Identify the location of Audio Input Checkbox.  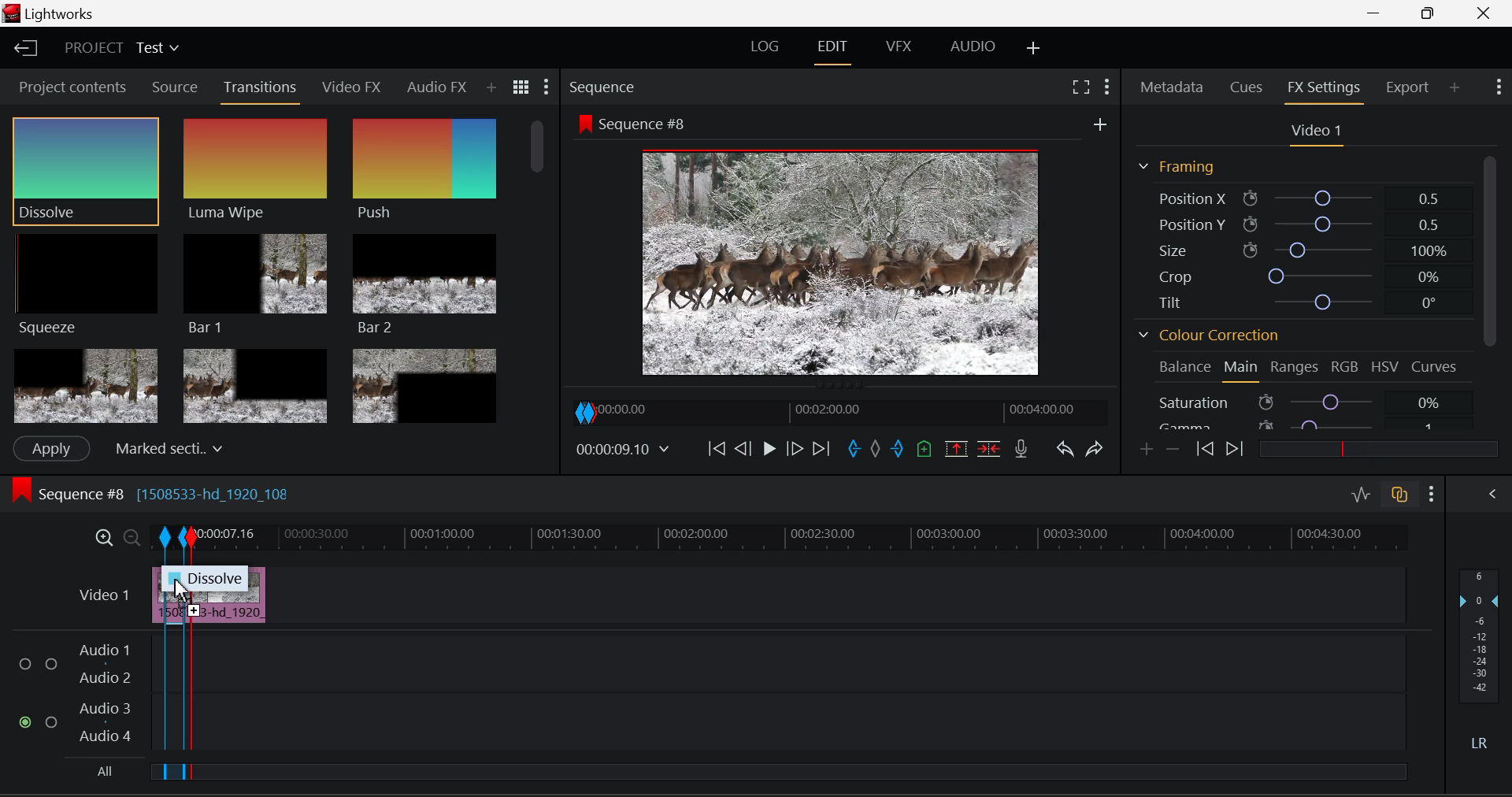
(27, 723).